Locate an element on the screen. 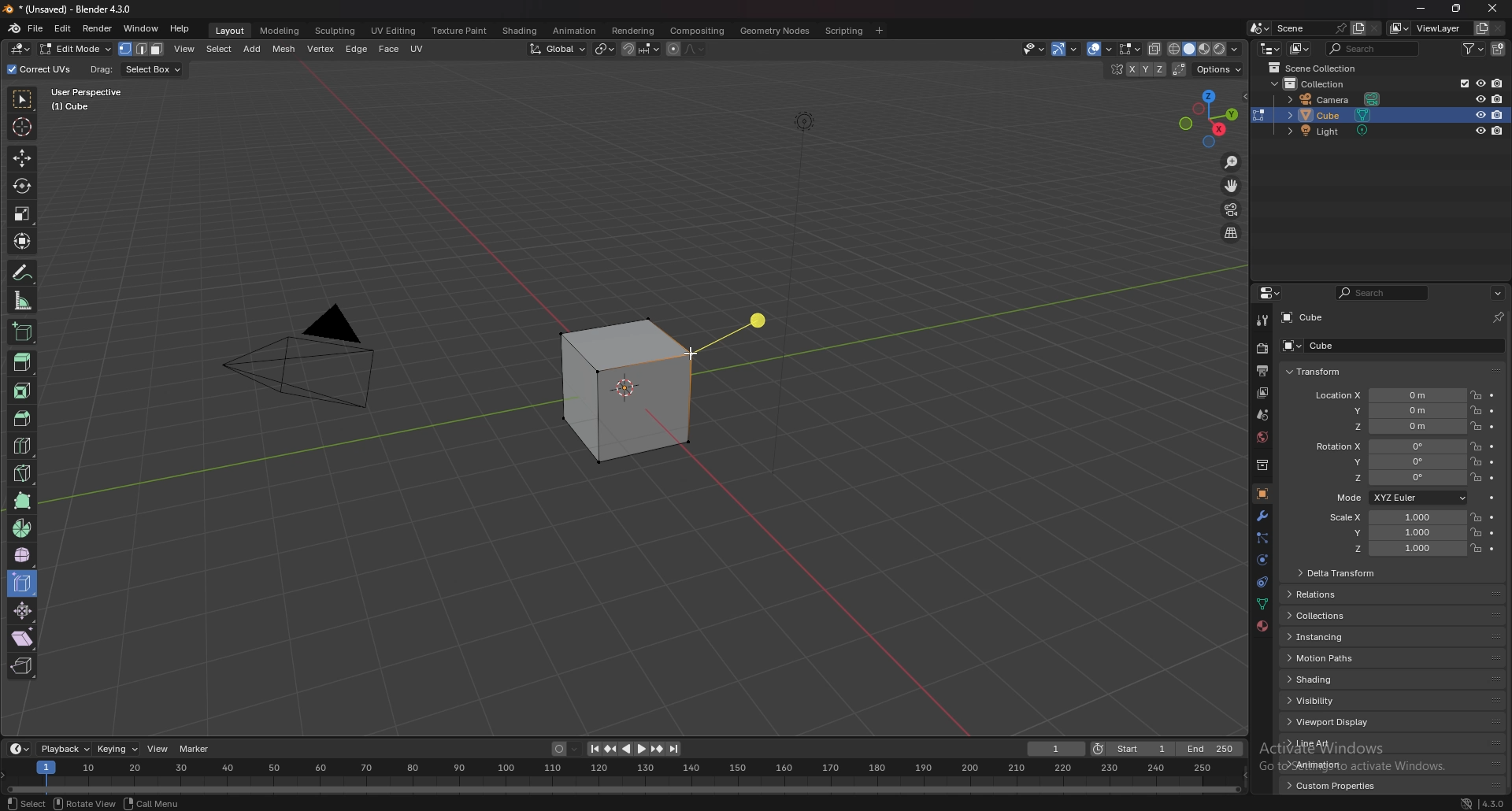 This screenshot has height=811, width=1512. vertex is located at coordinates (321, 50).